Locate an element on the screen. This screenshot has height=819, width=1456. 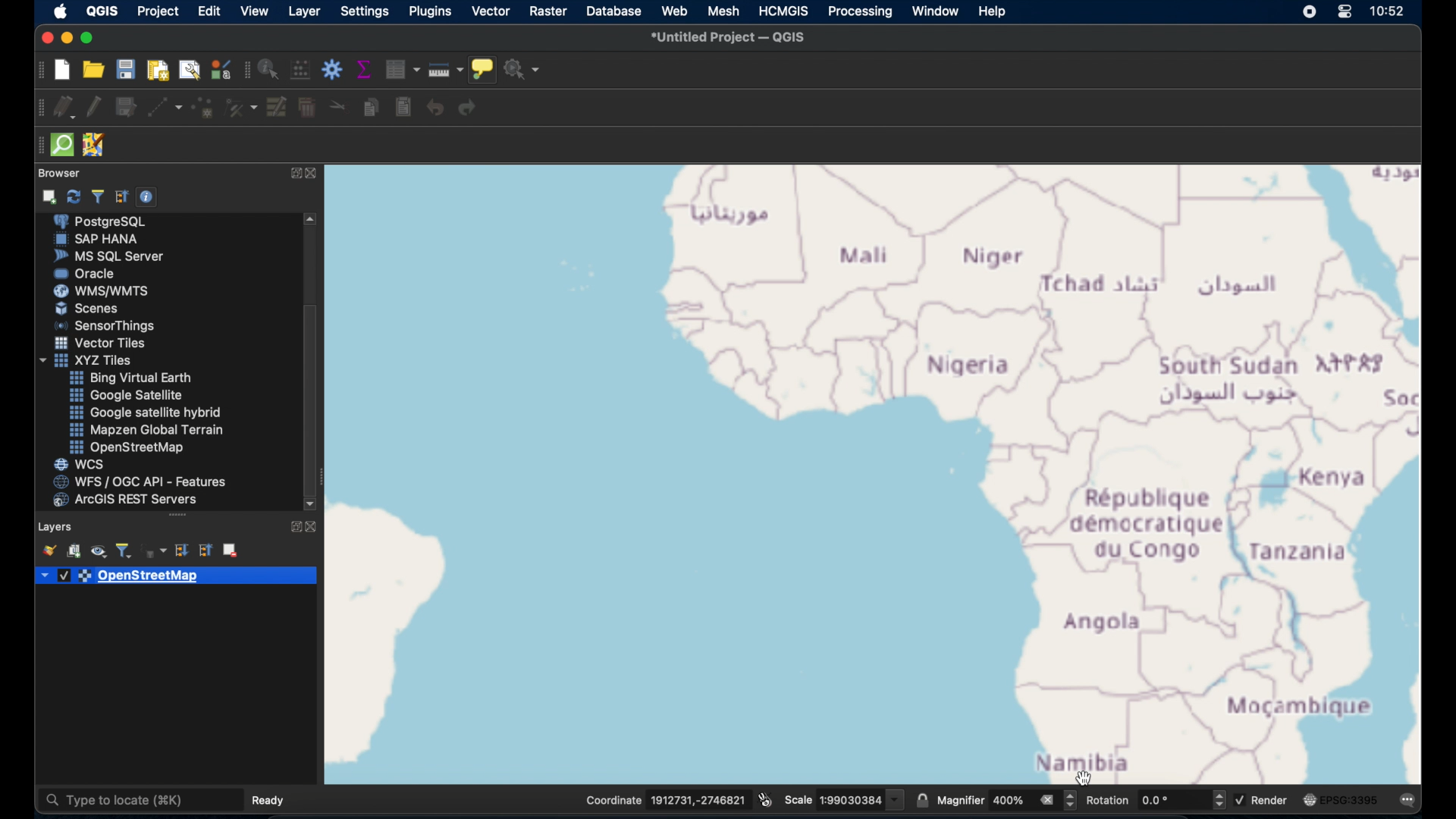
save project is located at coordinates (125, 70).